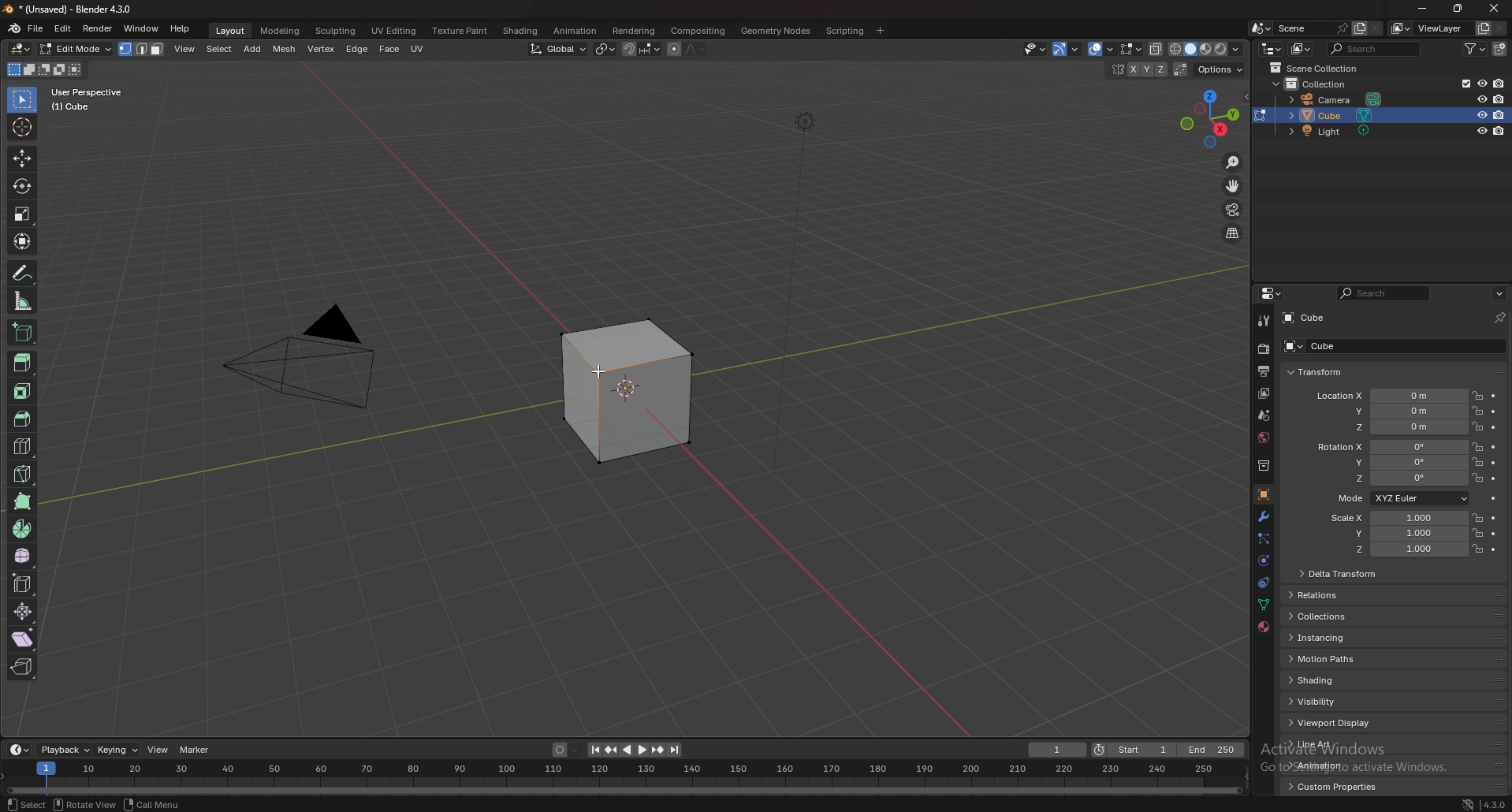 The image size is (1512, 812). I want to click on filter, so click(1477, 47).